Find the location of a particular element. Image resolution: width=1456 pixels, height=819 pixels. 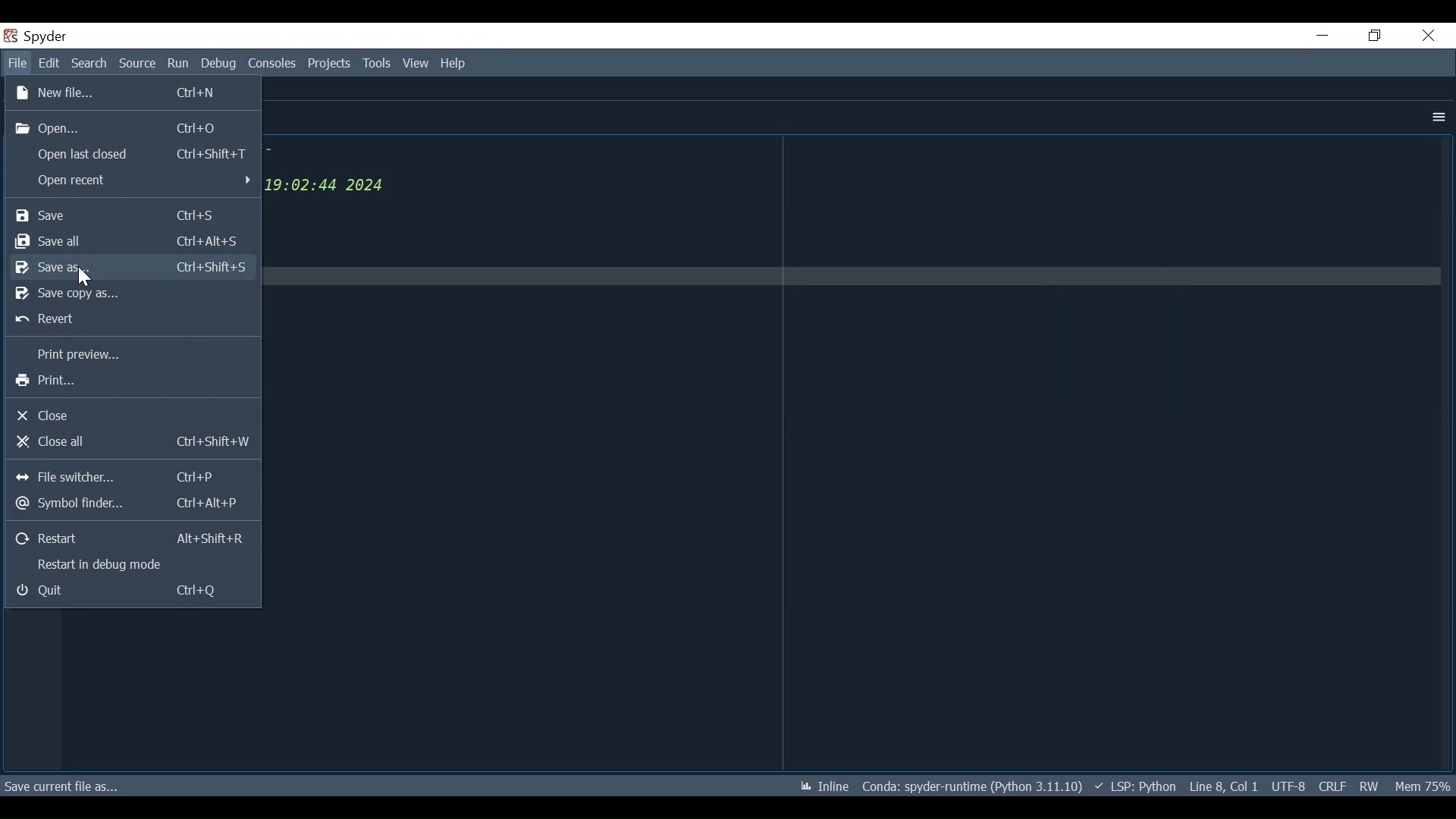

Edit is located at coordinates (49, 64).